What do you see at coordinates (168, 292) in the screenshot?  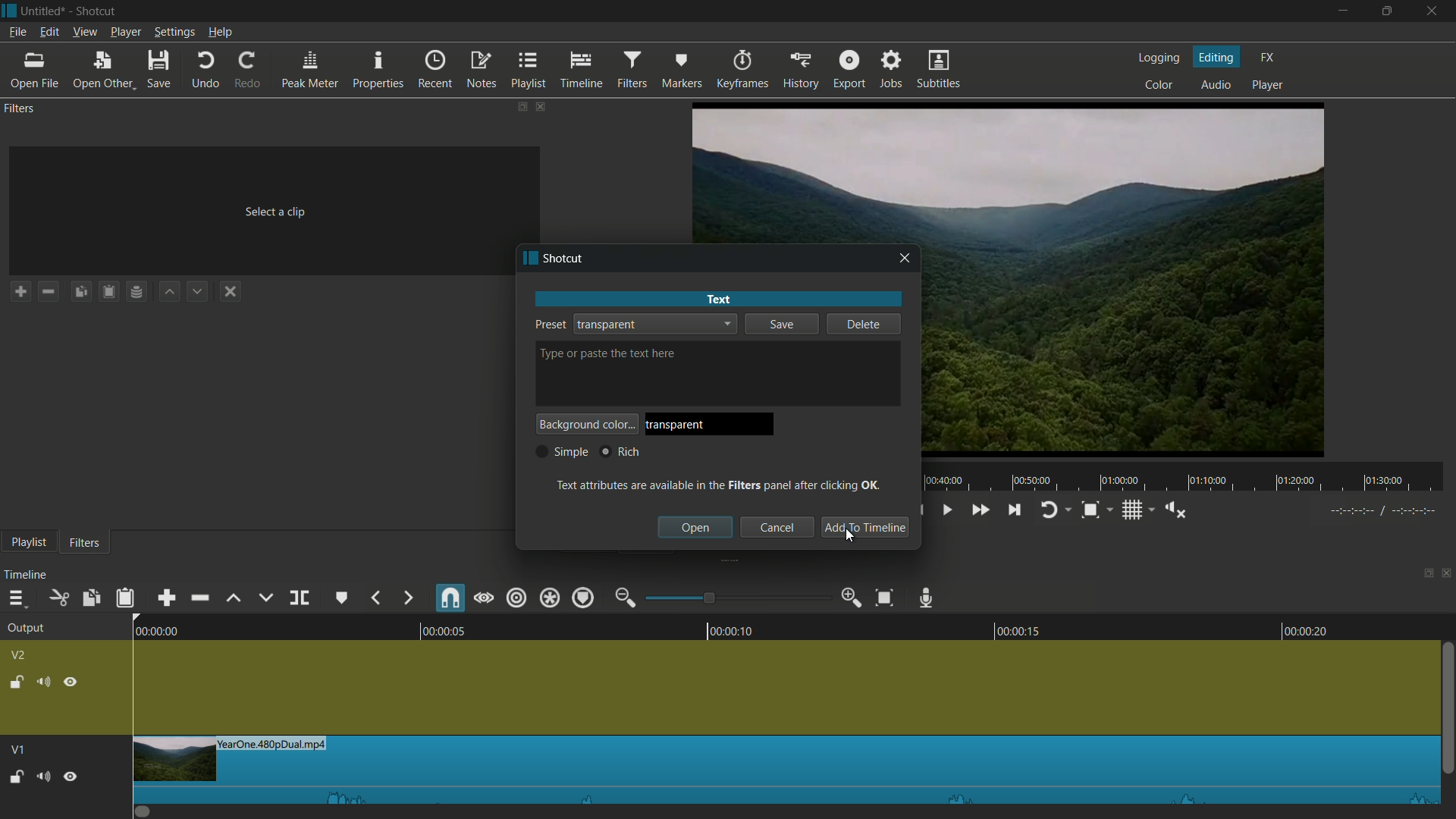 I see `up` at bounding box center [168, 292].